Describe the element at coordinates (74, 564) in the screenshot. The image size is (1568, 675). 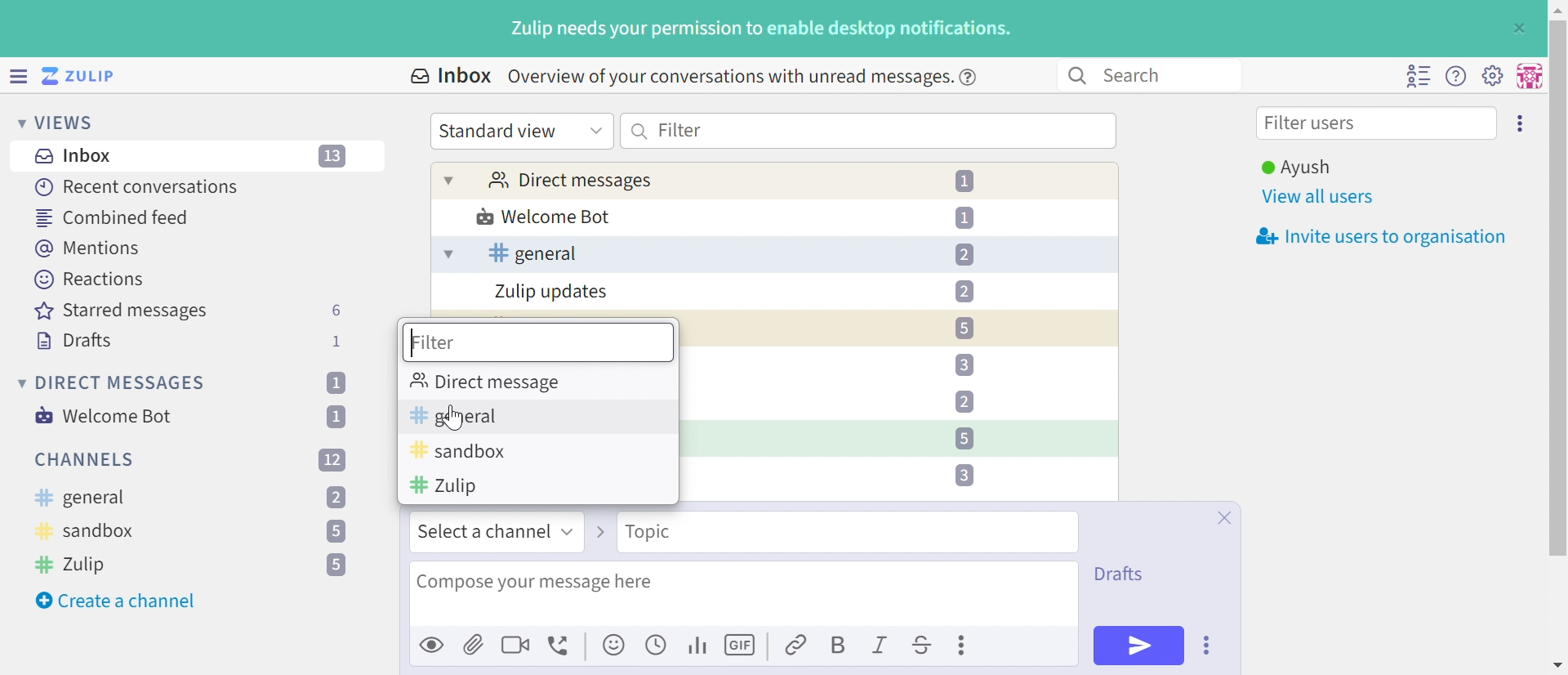
I see `Zulip` at that location.